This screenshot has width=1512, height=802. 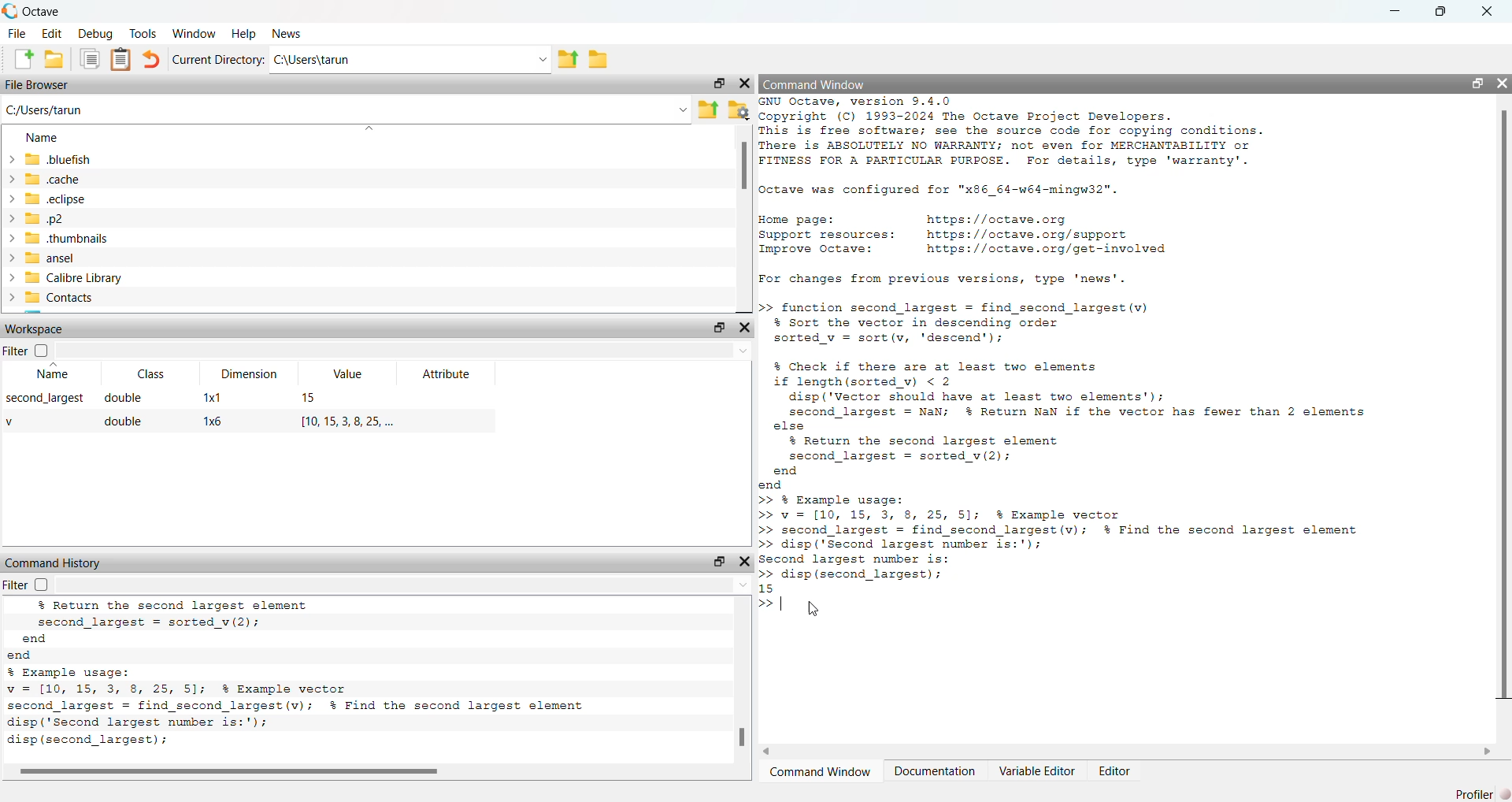 What do you see at coordinates (345, 109) in the screenshot?
I see `enter the path or filename` at bounding box center [345, 109].